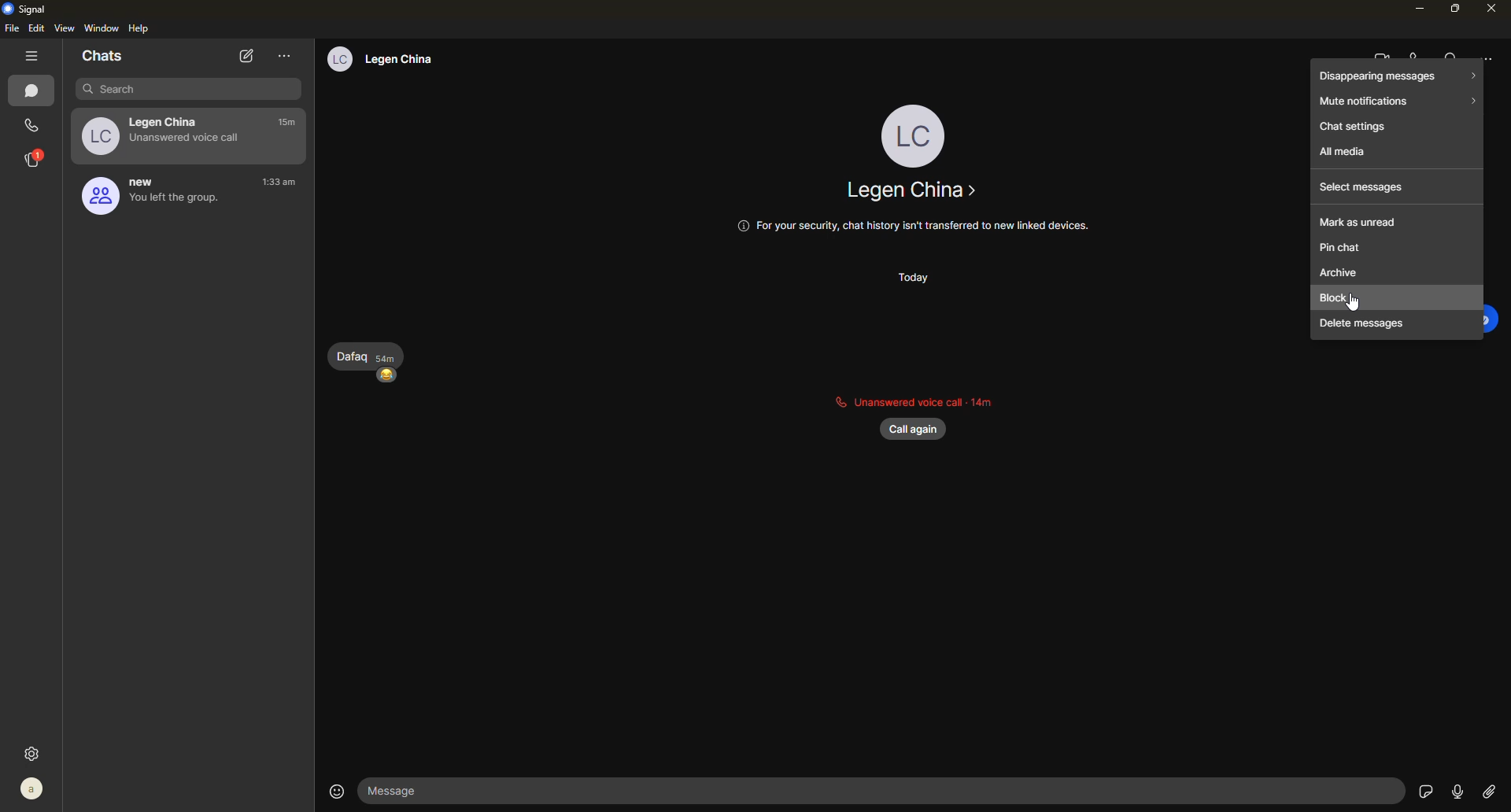 This screenshot has width=1511, height=812. Describe the element at coordinates (1335, 272) in the screenshot. I see `archive` at that location.